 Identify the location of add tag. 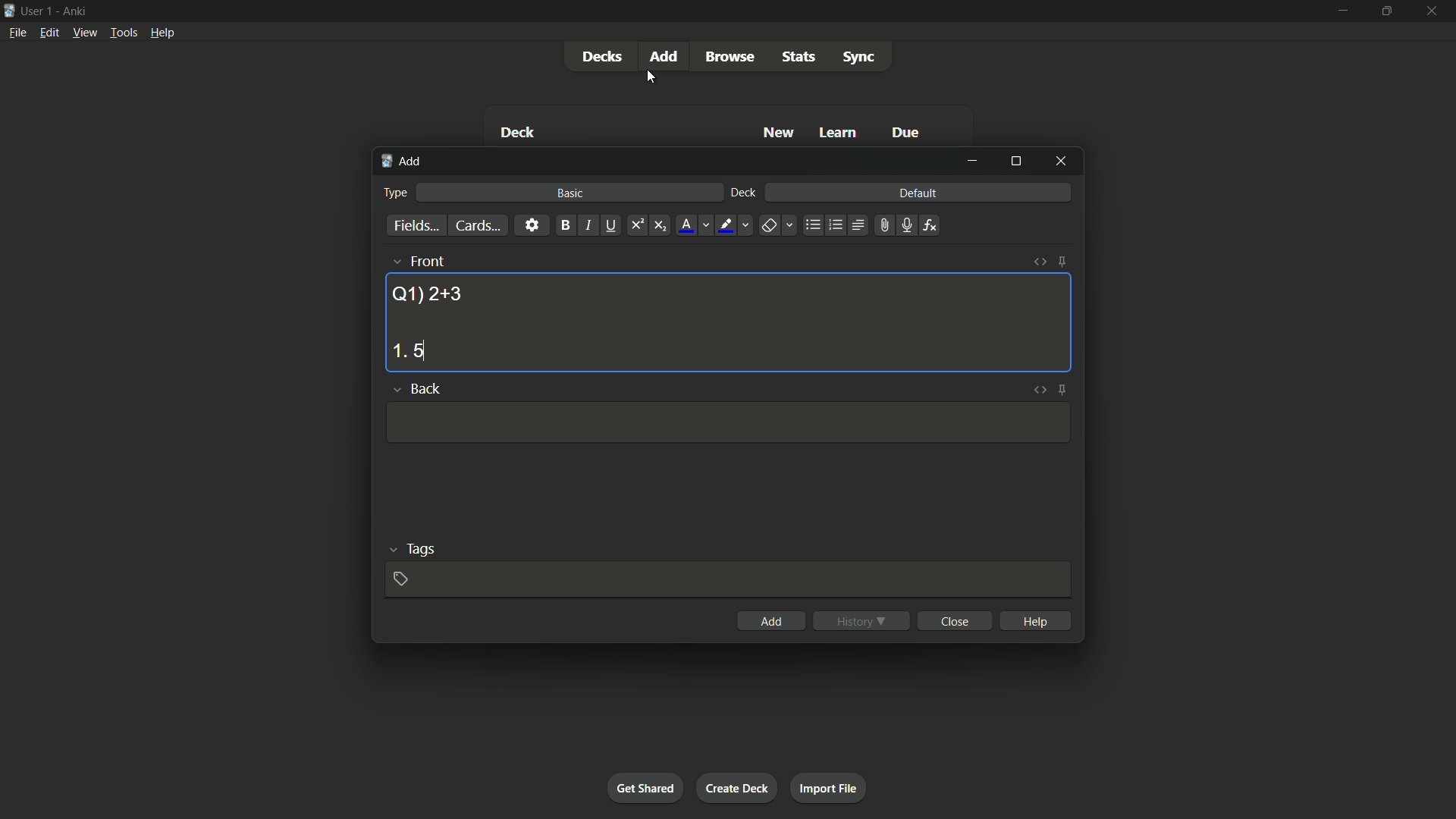
(400, 579).